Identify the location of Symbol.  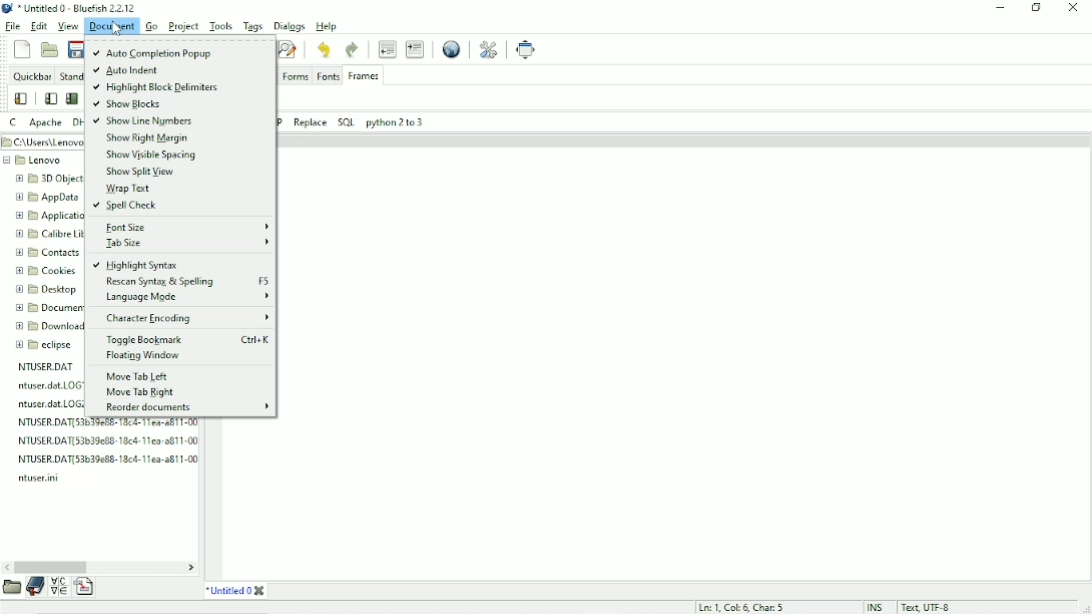
(59, 587).